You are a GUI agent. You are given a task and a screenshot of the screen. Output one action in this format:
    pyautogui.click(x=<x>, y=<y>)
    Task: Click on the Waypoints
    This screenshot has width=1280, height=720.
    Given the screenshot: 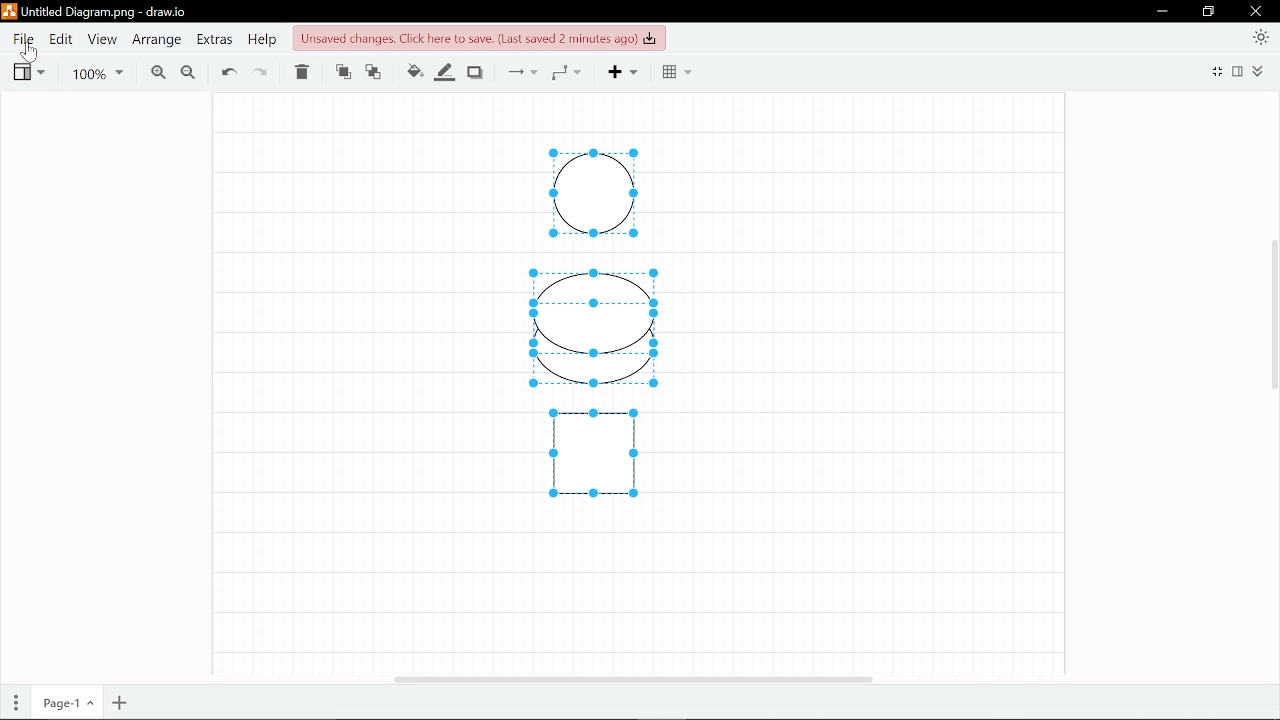 What is the action you would take?
    pyautogui.click(x=566, y=71)
    